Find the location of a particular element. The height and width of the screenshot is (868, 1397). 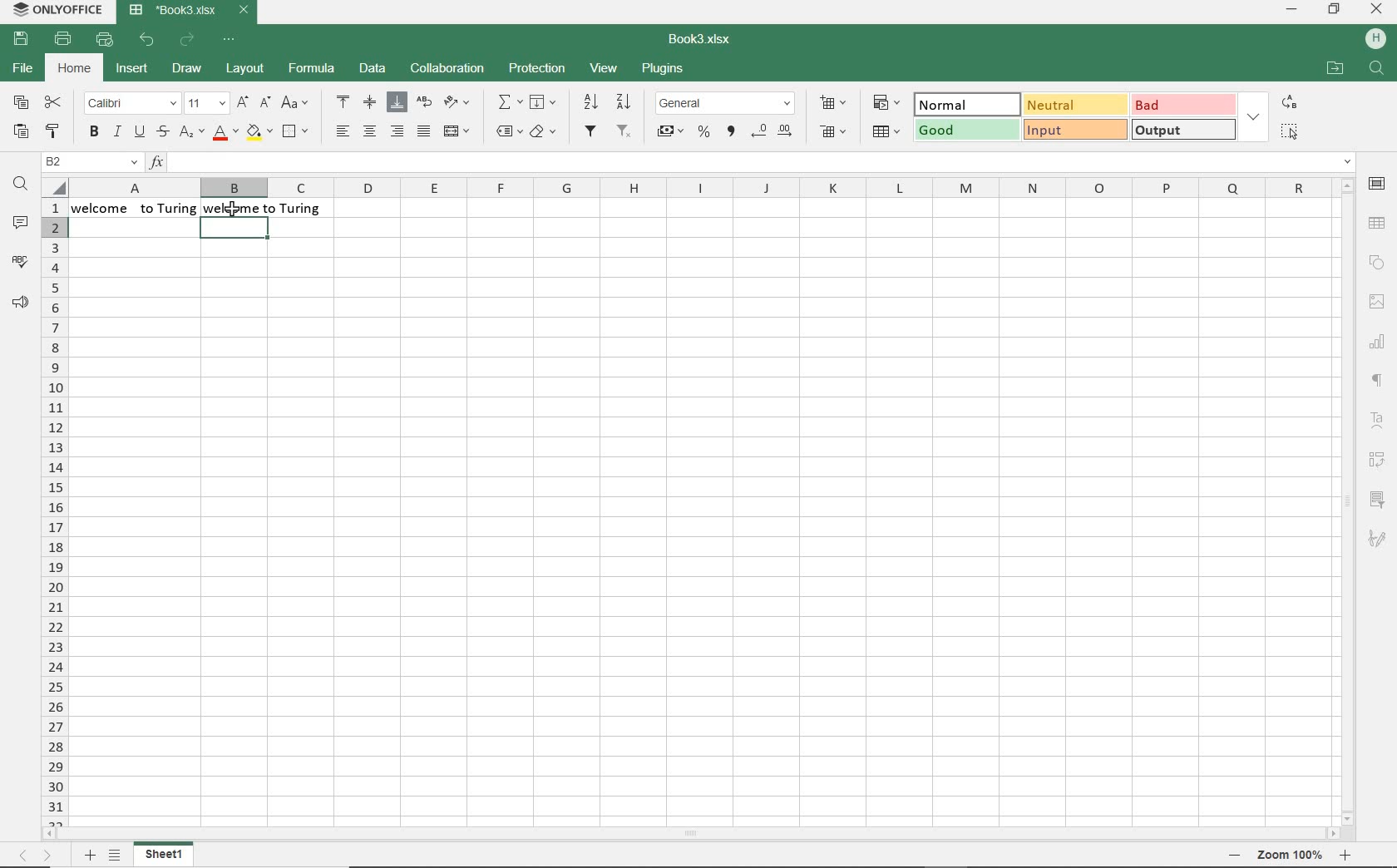

good is located at coordinates (965, 131).